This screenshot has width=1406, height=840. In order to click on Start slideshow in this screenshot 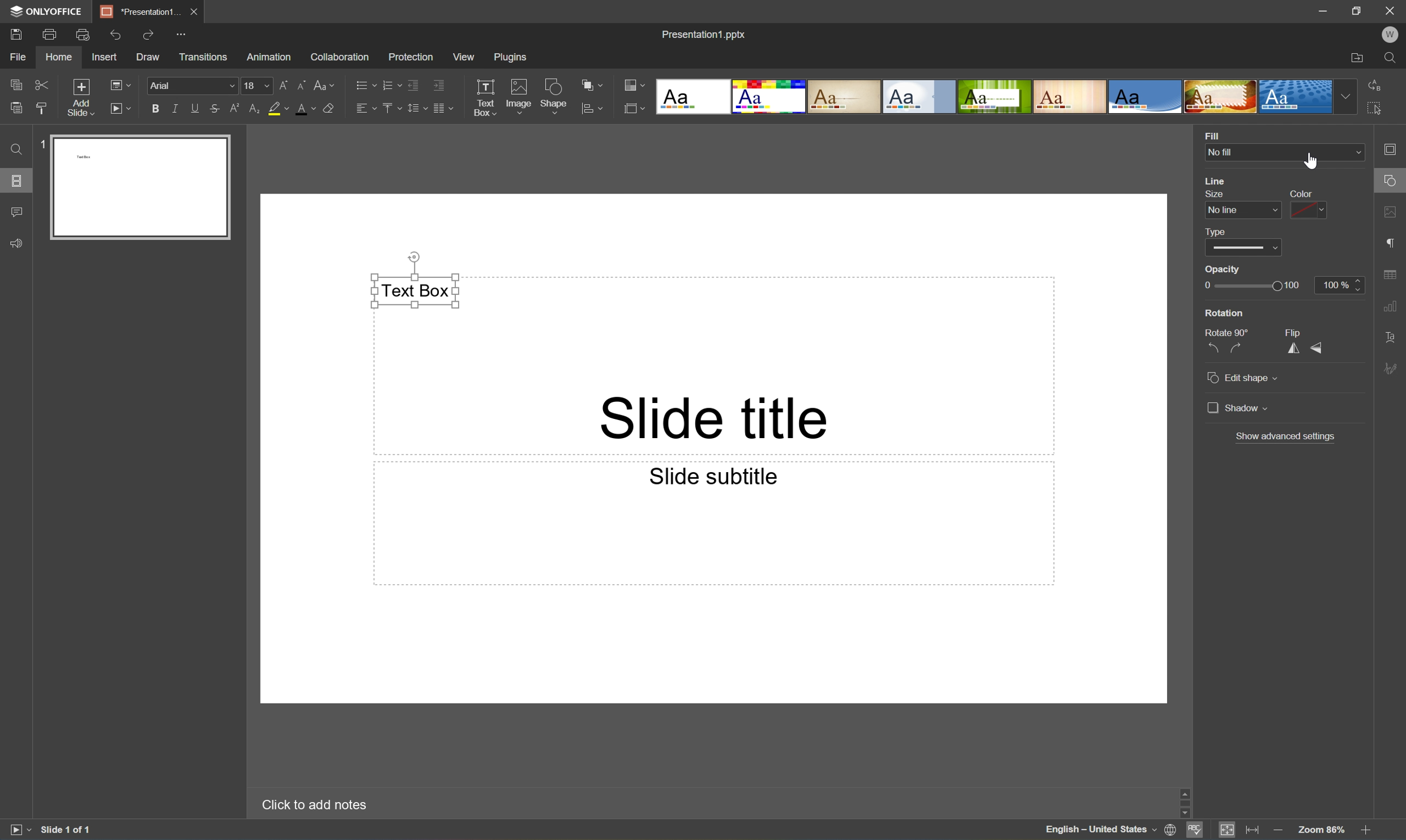, I will do `click(16, 830)`.